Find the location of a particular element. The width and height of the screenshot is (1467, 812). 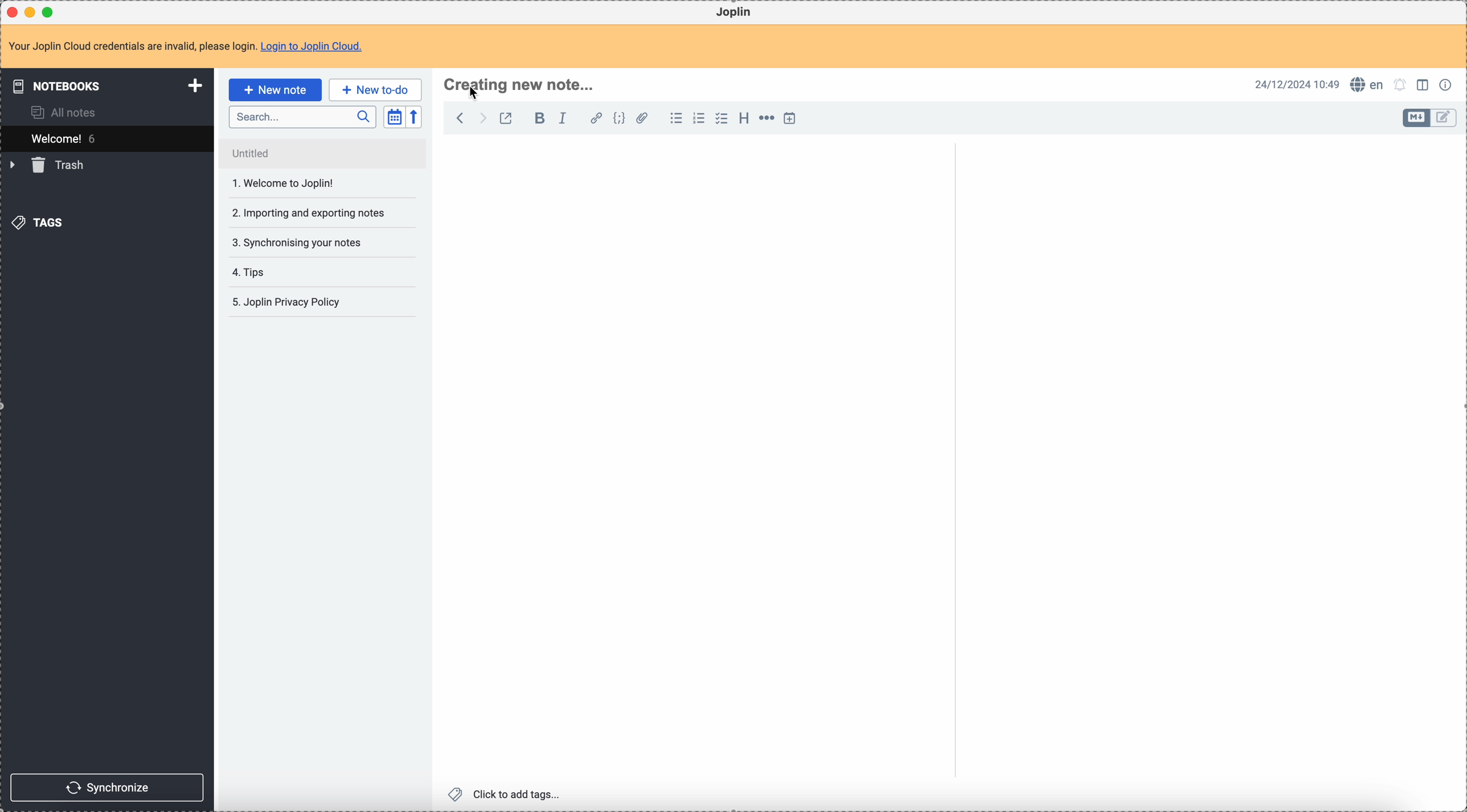

synchronize is located at coordinates (109, 786).